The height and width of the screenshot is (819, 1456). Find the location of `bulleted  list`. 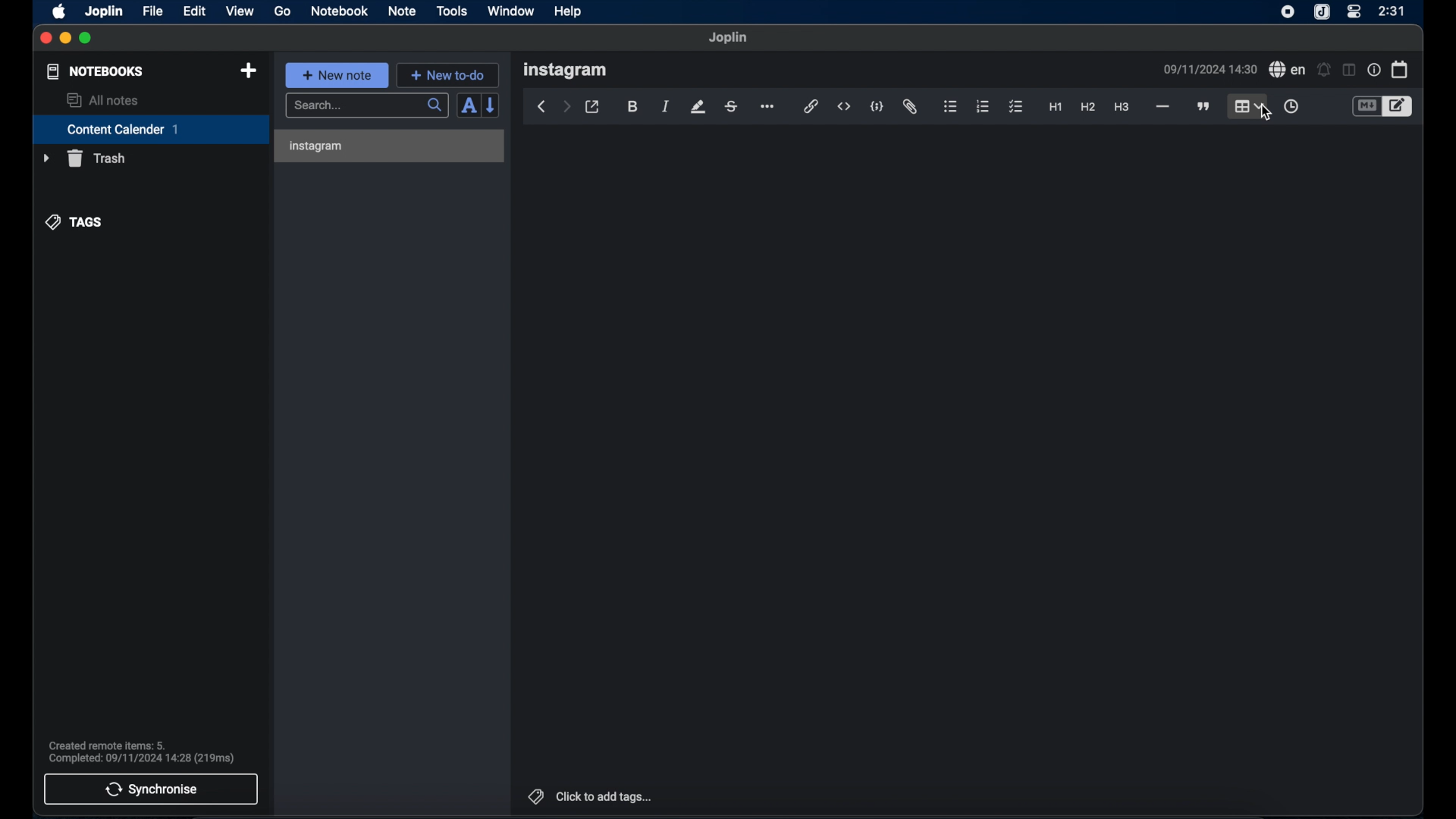

bulleted  list is located at coordinates (951, 105).